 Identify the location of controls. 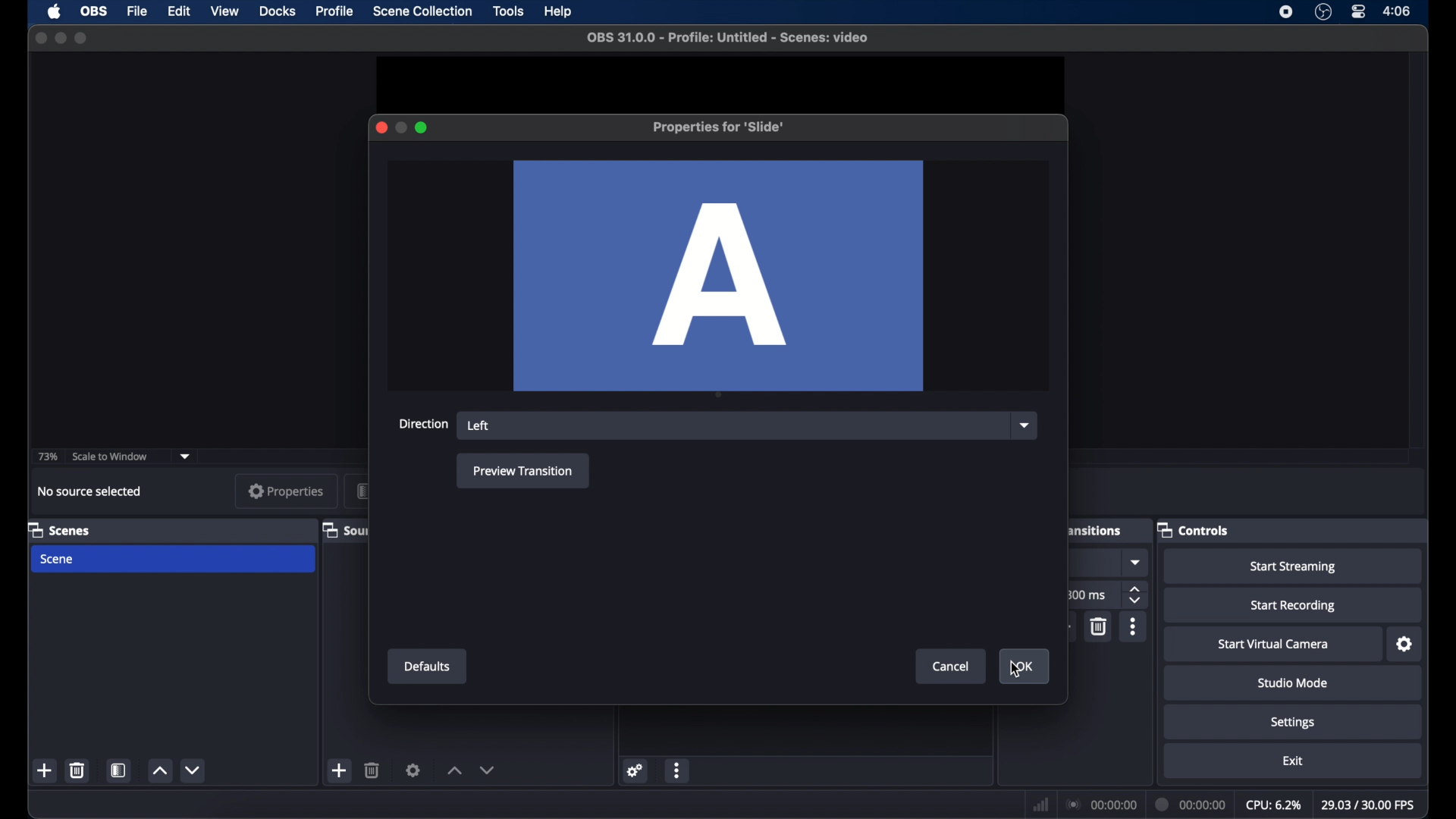
(1194, 531).